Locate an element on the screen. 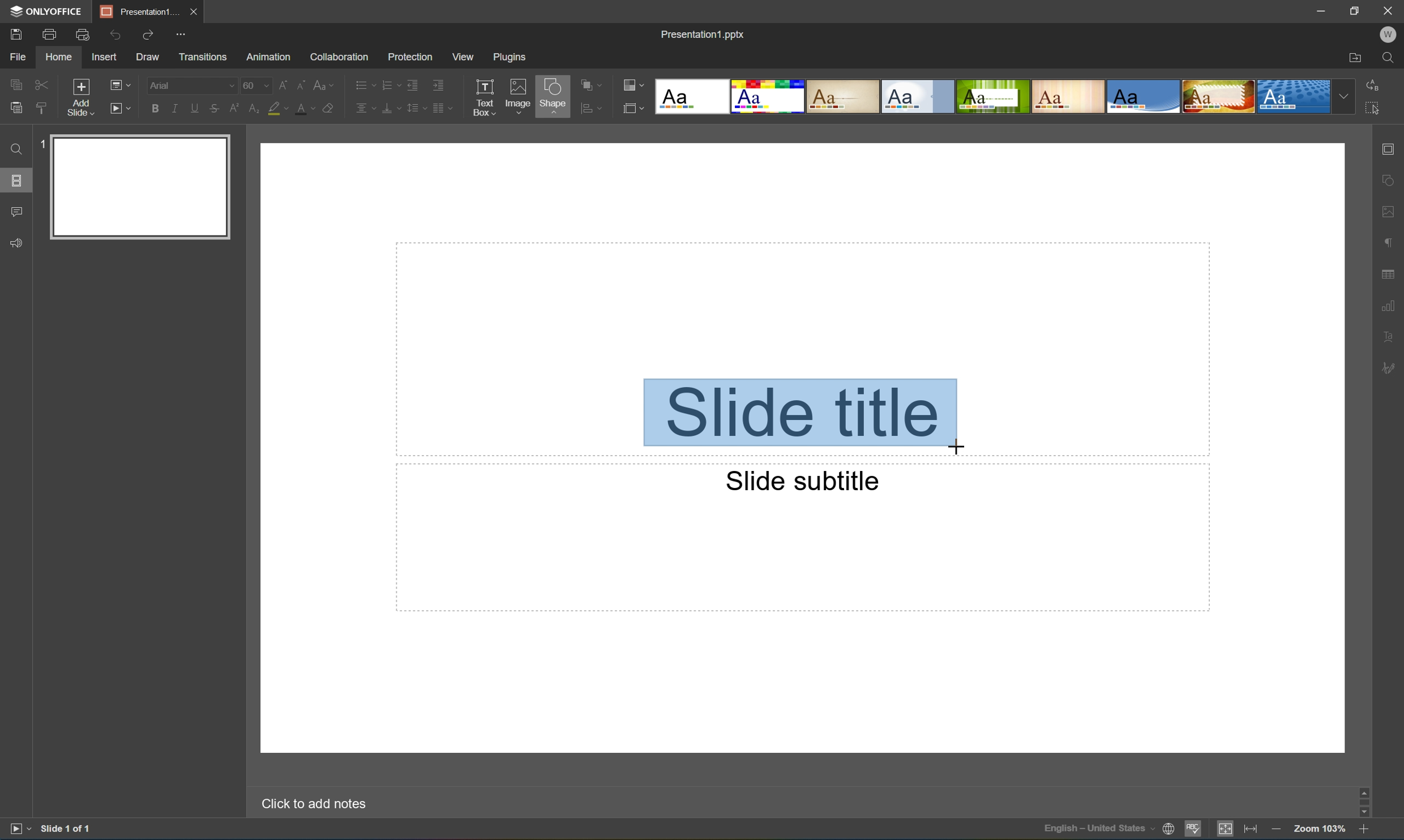  Set document language is located at coordinates (1168, 830).